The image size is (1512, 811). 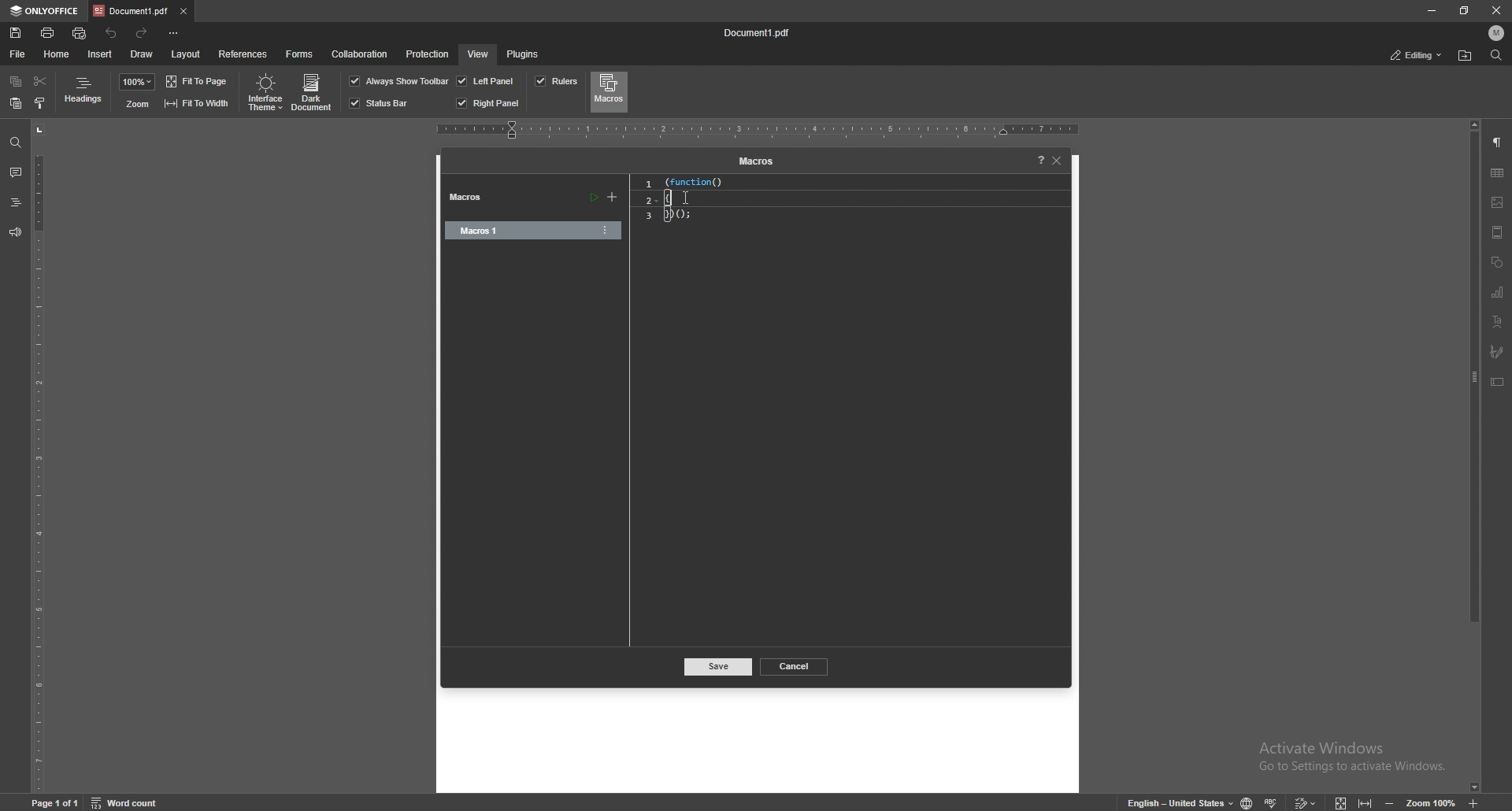 What do you see at coordinates (613, 198) in the screenshot?
I see `add macro` at bounding box center [613, 198].